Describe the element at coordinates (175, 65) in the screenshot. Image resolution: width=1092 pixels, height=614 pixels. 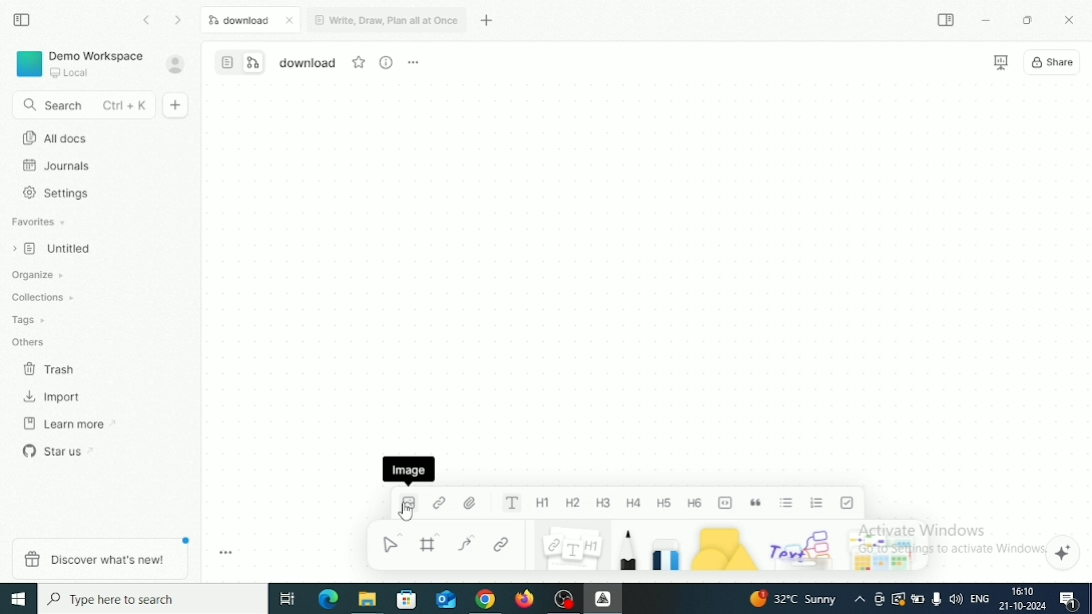
I see `Account` at that location.